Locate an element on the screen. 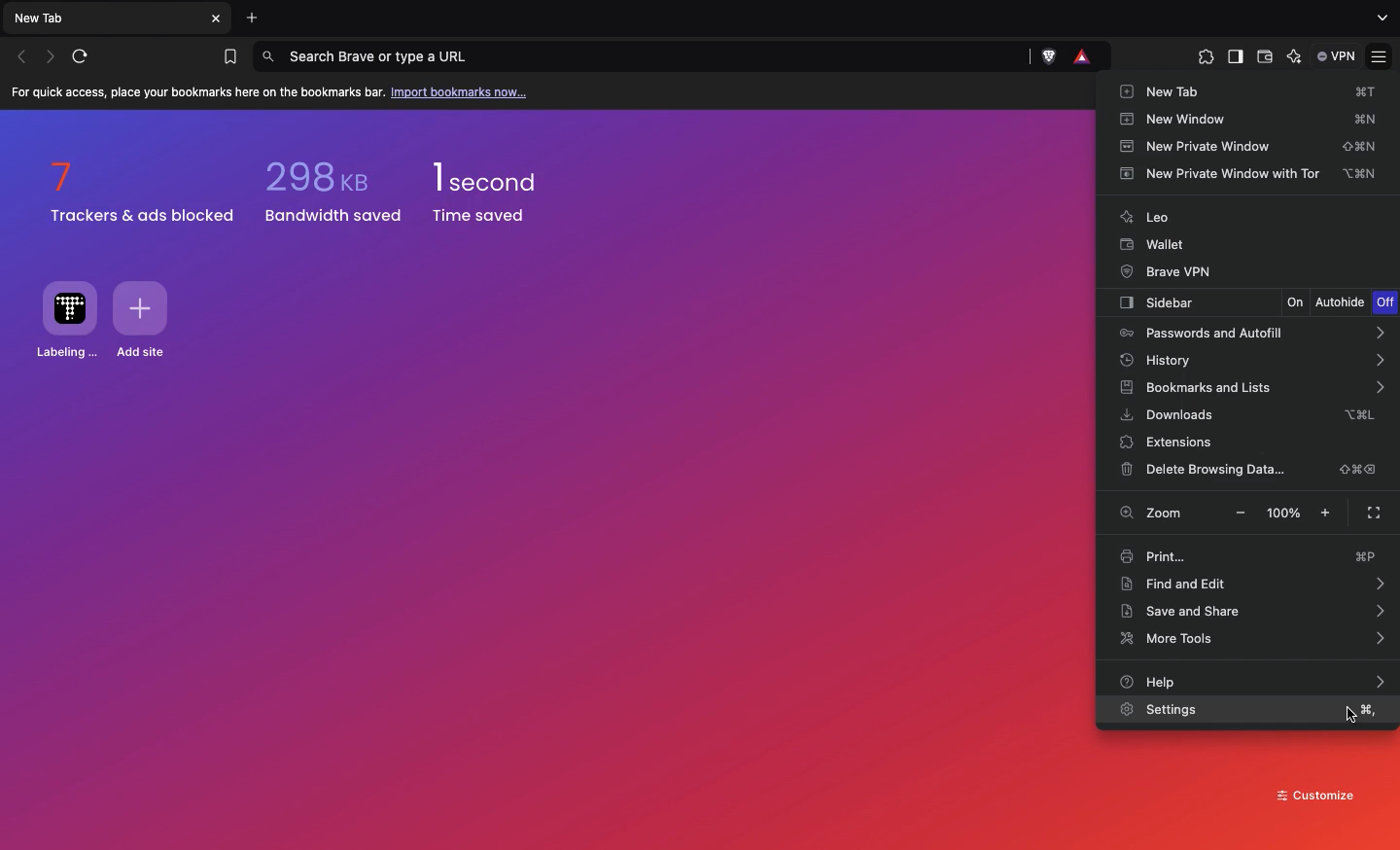 The image size is (1400, 850). New private window is located at coordinates (1243, 146).